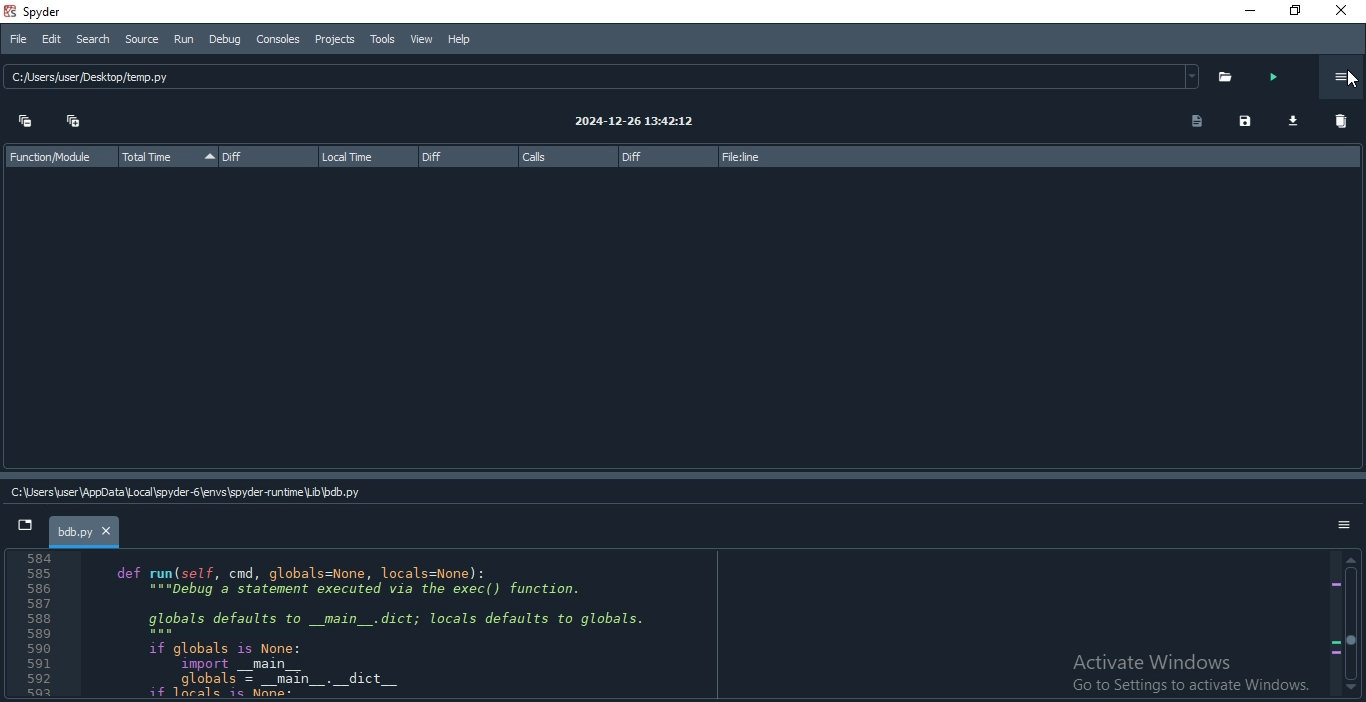 This screenshot has height=702, width=1366. I want to click on Consoles, so click(277, 39).